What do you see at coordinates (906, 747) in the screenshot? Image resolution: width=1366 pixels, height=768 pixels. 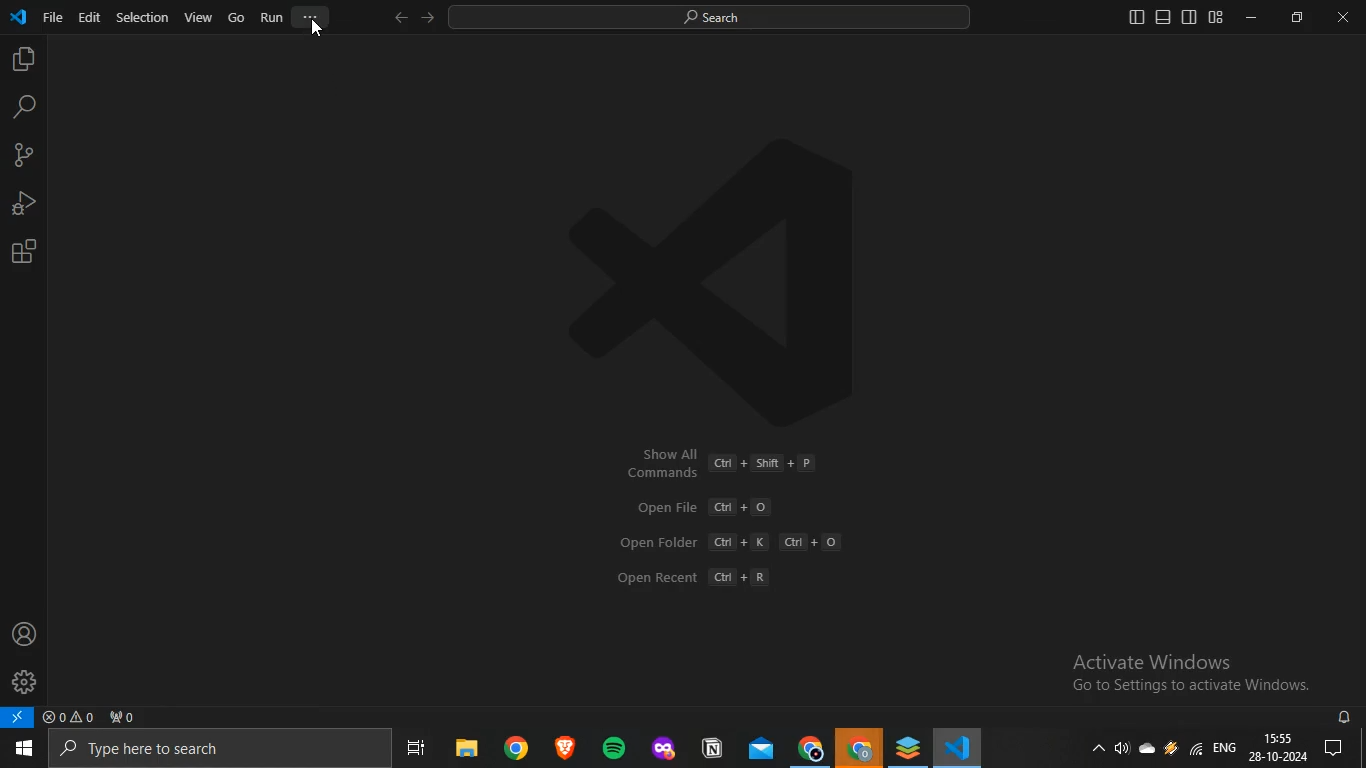 I see `onlyoffice` at bounding box center [906, 747].